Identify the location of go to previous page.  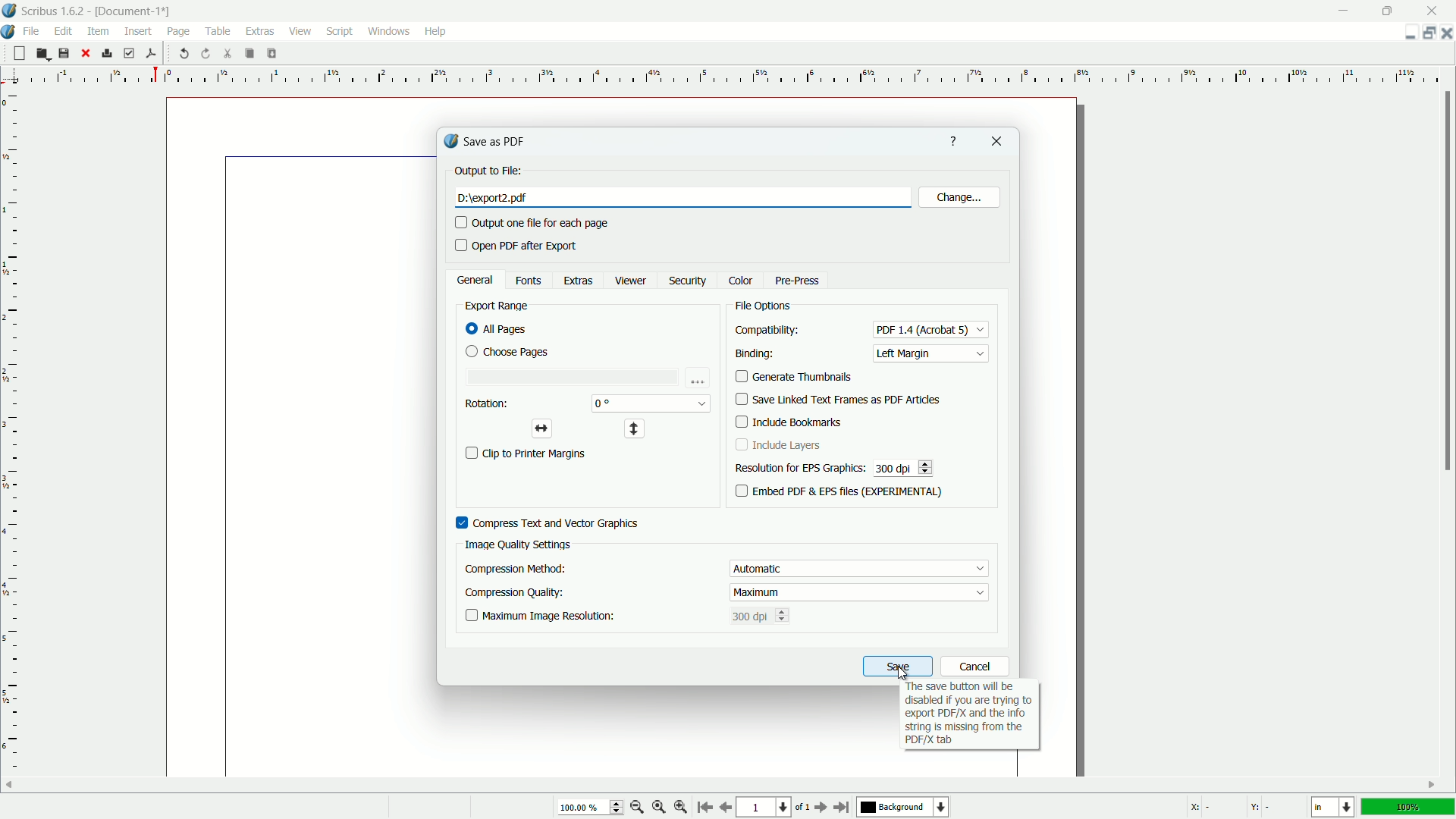
(723, 808).